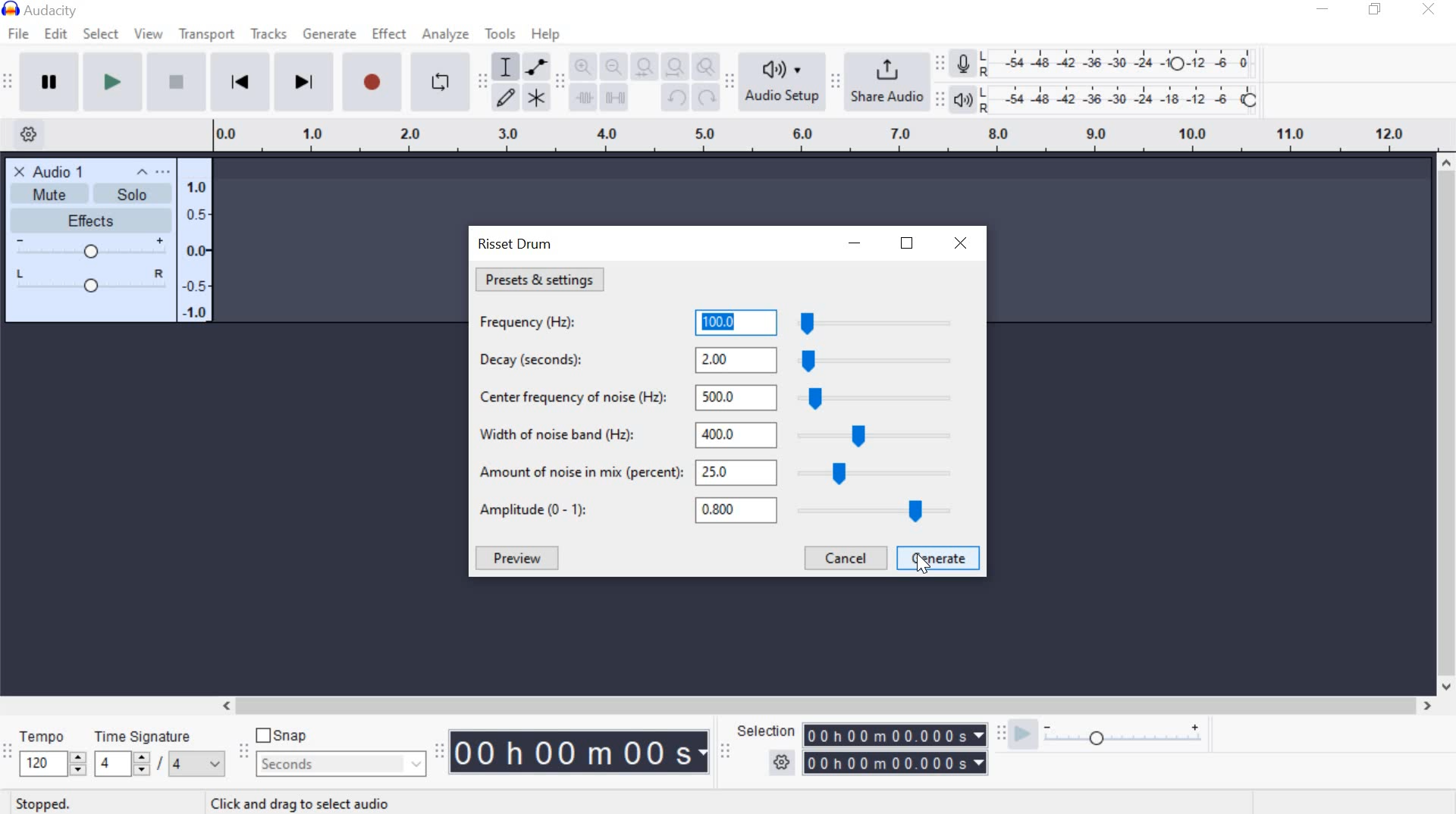  I want to click on Fit project to width, so click(672, 65).